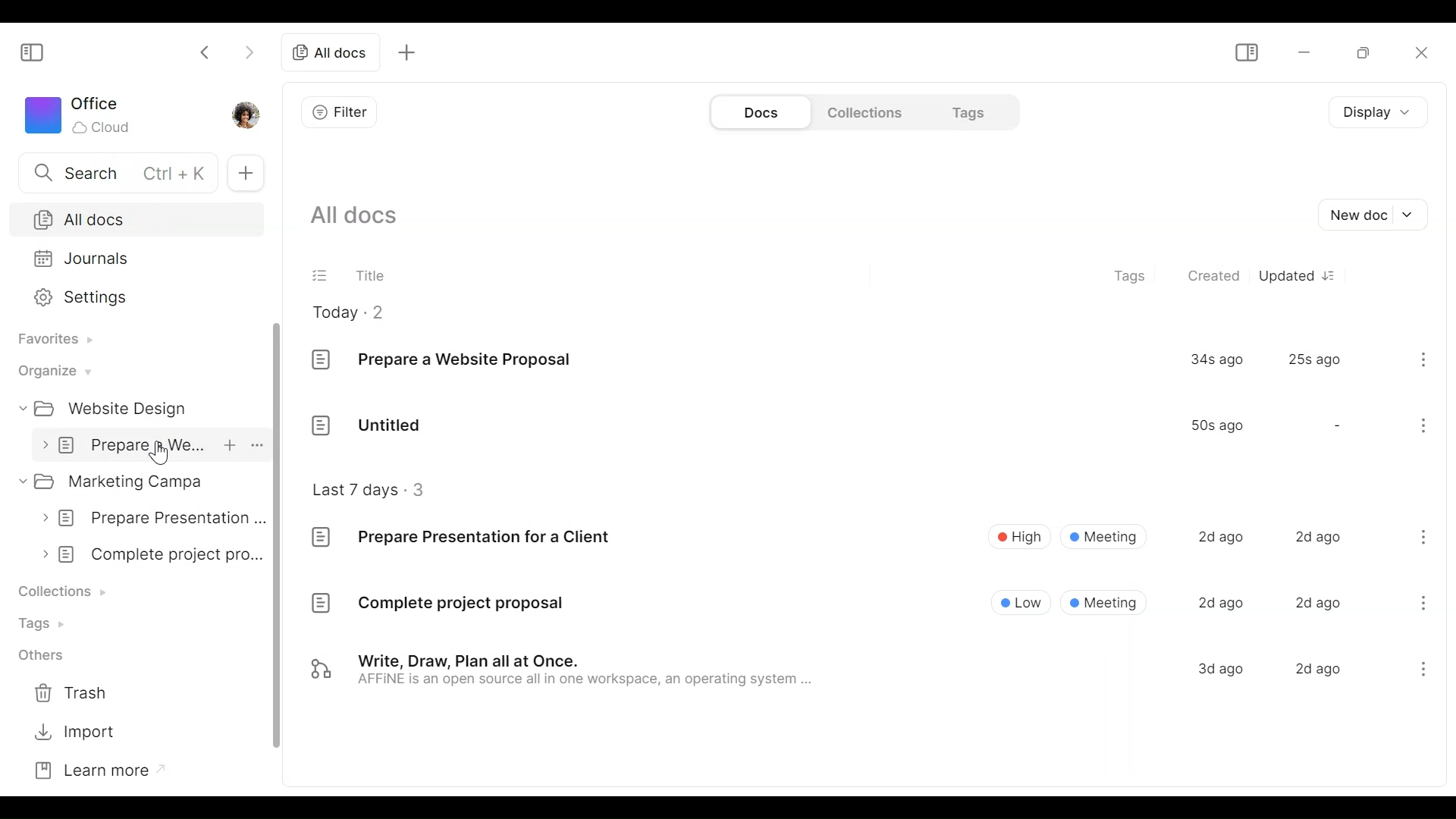 This screenshot has width=1456, height=819. Describe the element at coordinates (870, 536) in the screenshot. I see `Document` at that location.